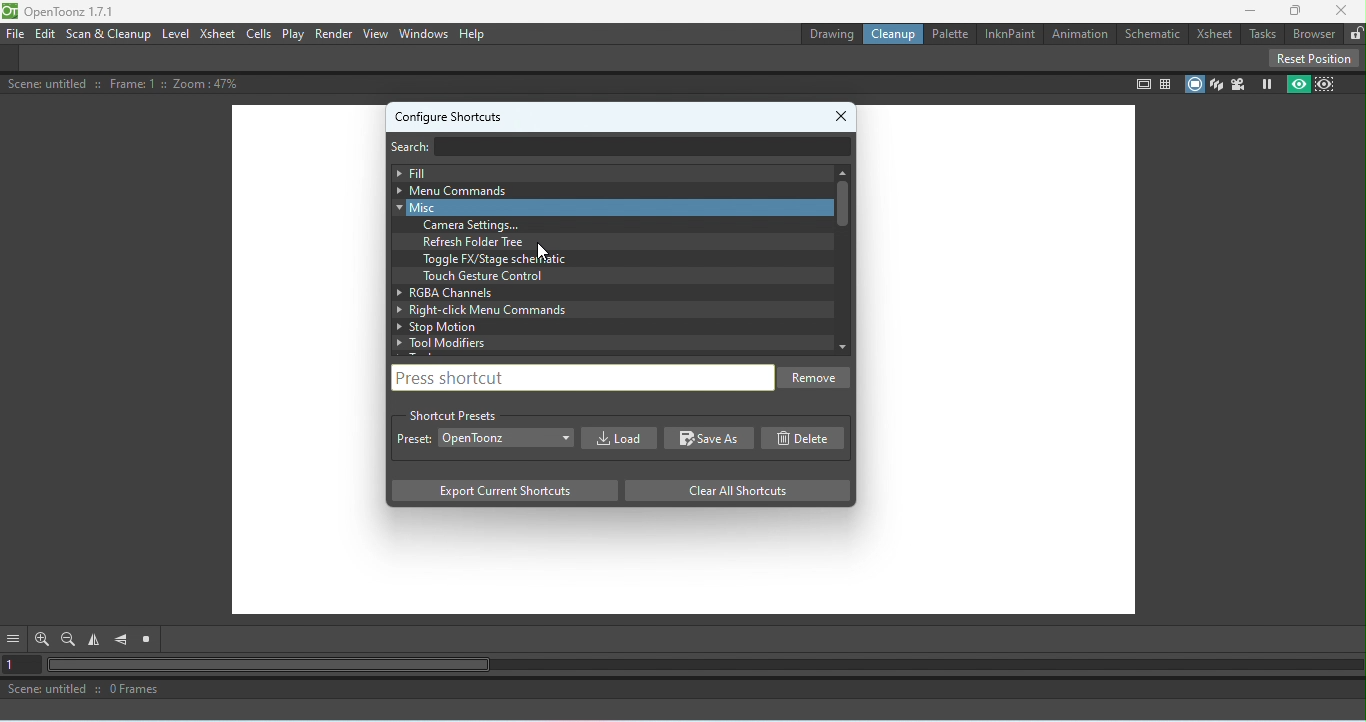  Describe the element at coordinates (731, 490) in the screenshot. I see `Clear all shortcuts` at that location.